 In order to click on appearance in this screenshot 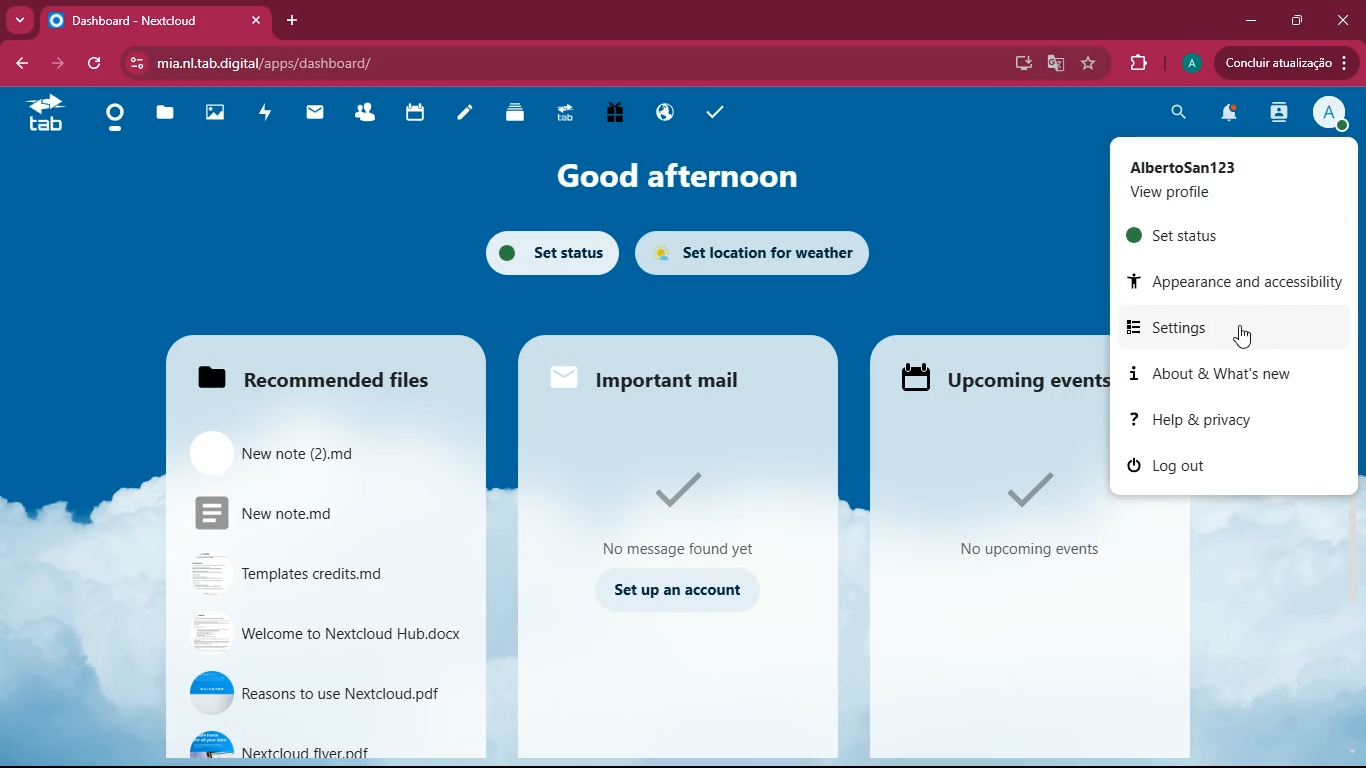, I will do `click(1238, 280)`.